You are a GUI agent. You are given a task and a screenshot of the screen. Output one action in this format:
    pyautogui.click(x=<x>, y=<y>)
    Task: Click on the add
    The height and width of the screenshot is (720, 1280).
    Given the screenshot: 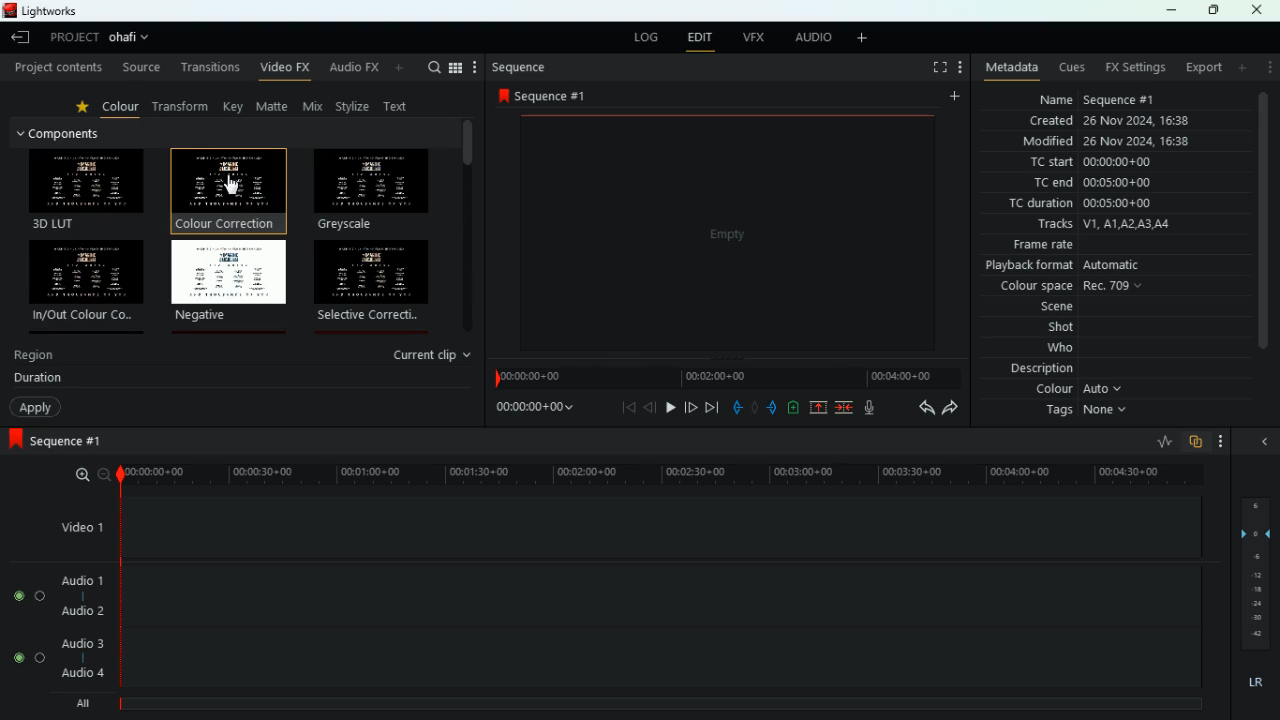 What is the action you would take?
    pyautogui.click(x=792, y=407)
    